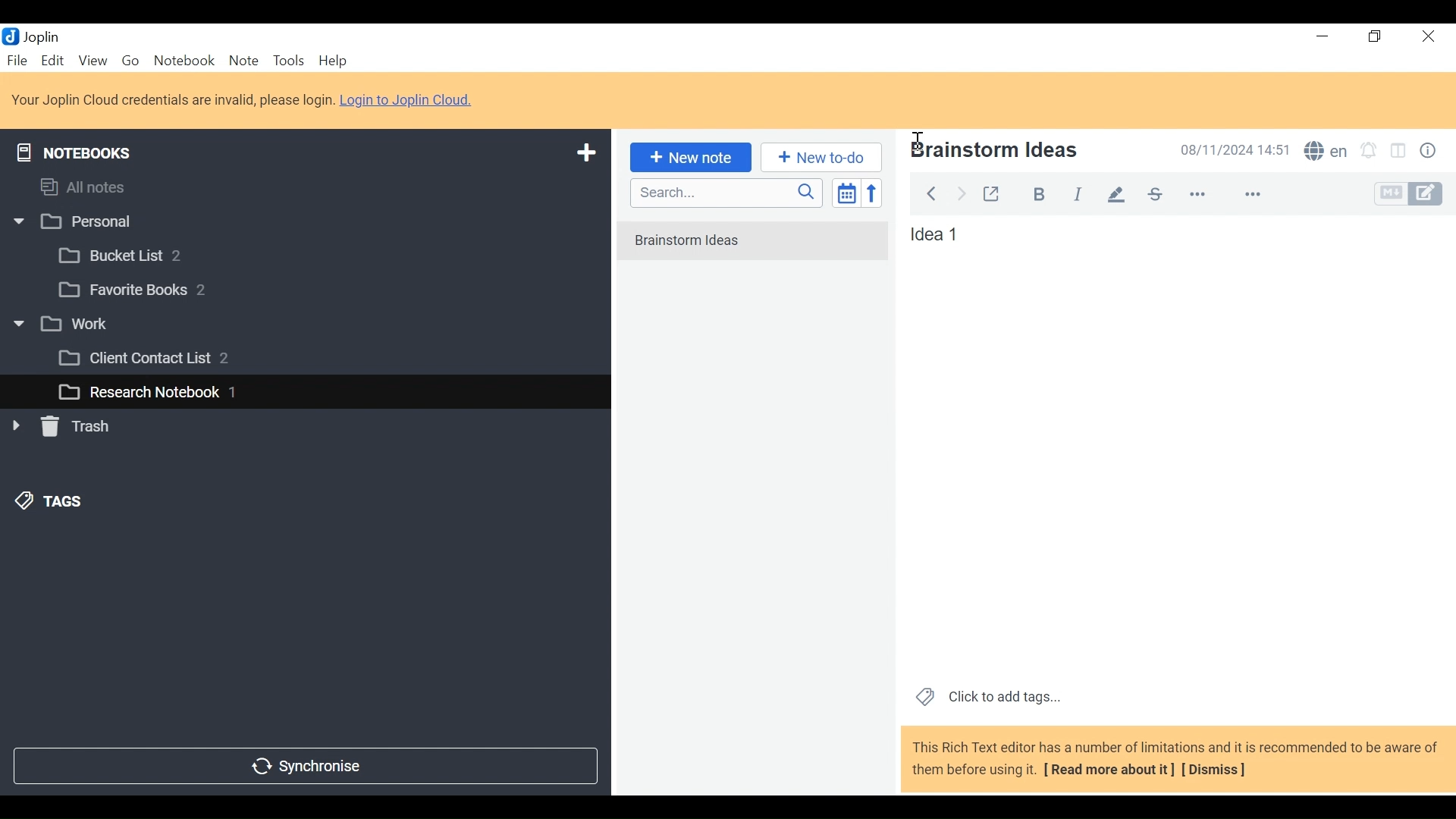 This screenshot has height=819, width=1456. What do you see at coordinates (821, 158) in the screenshot?
I see `Add New to Do` at bounding box center [821, 158].